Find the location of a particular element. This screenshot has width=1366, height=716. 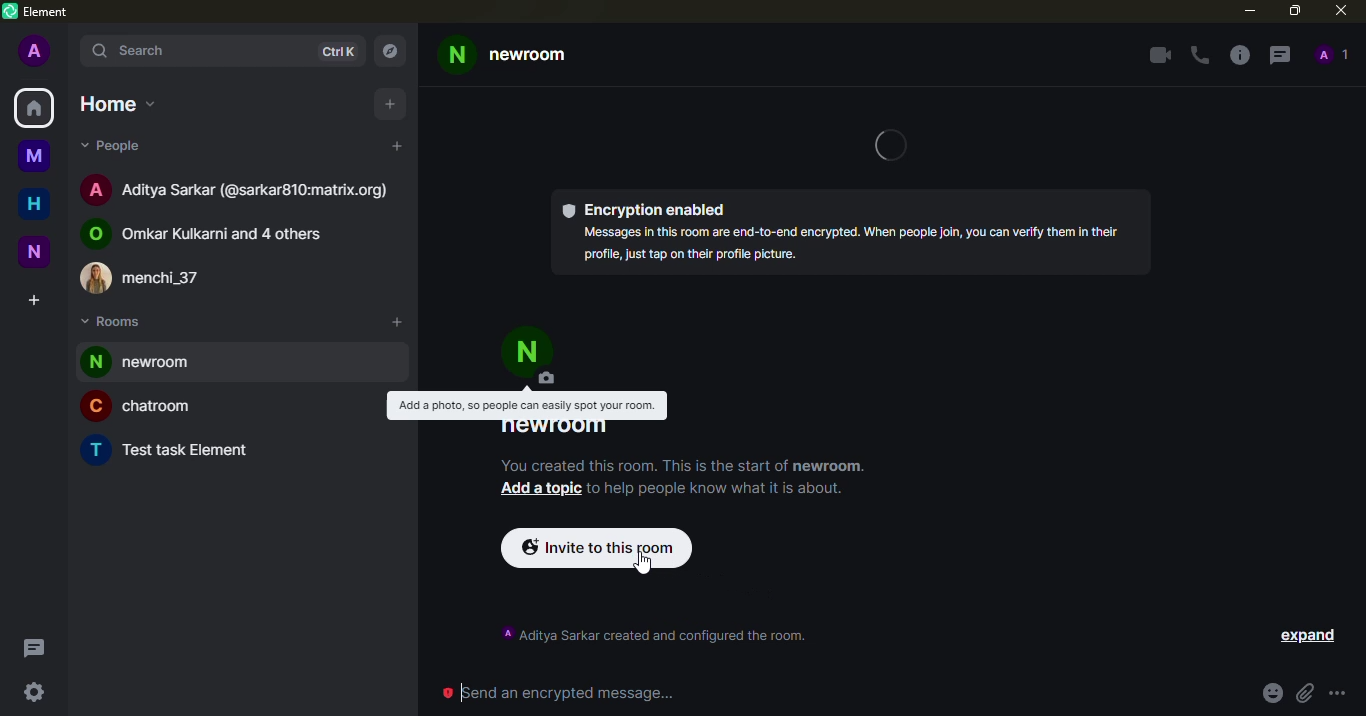

myspace is located at coordinates (36, 158).